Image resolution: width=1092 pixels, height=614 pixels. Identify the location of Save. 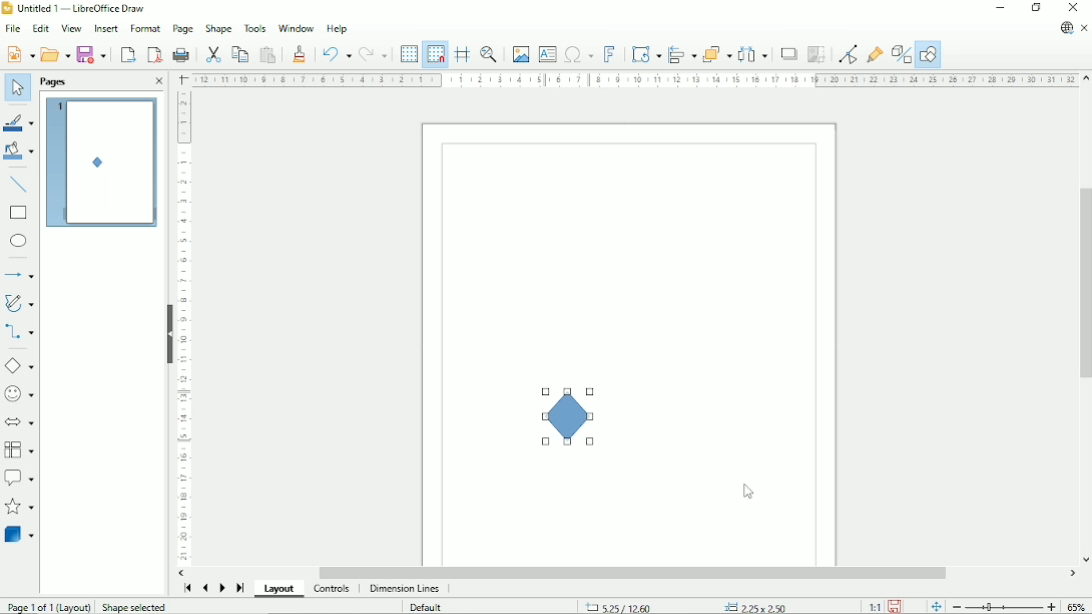
(896, 605).